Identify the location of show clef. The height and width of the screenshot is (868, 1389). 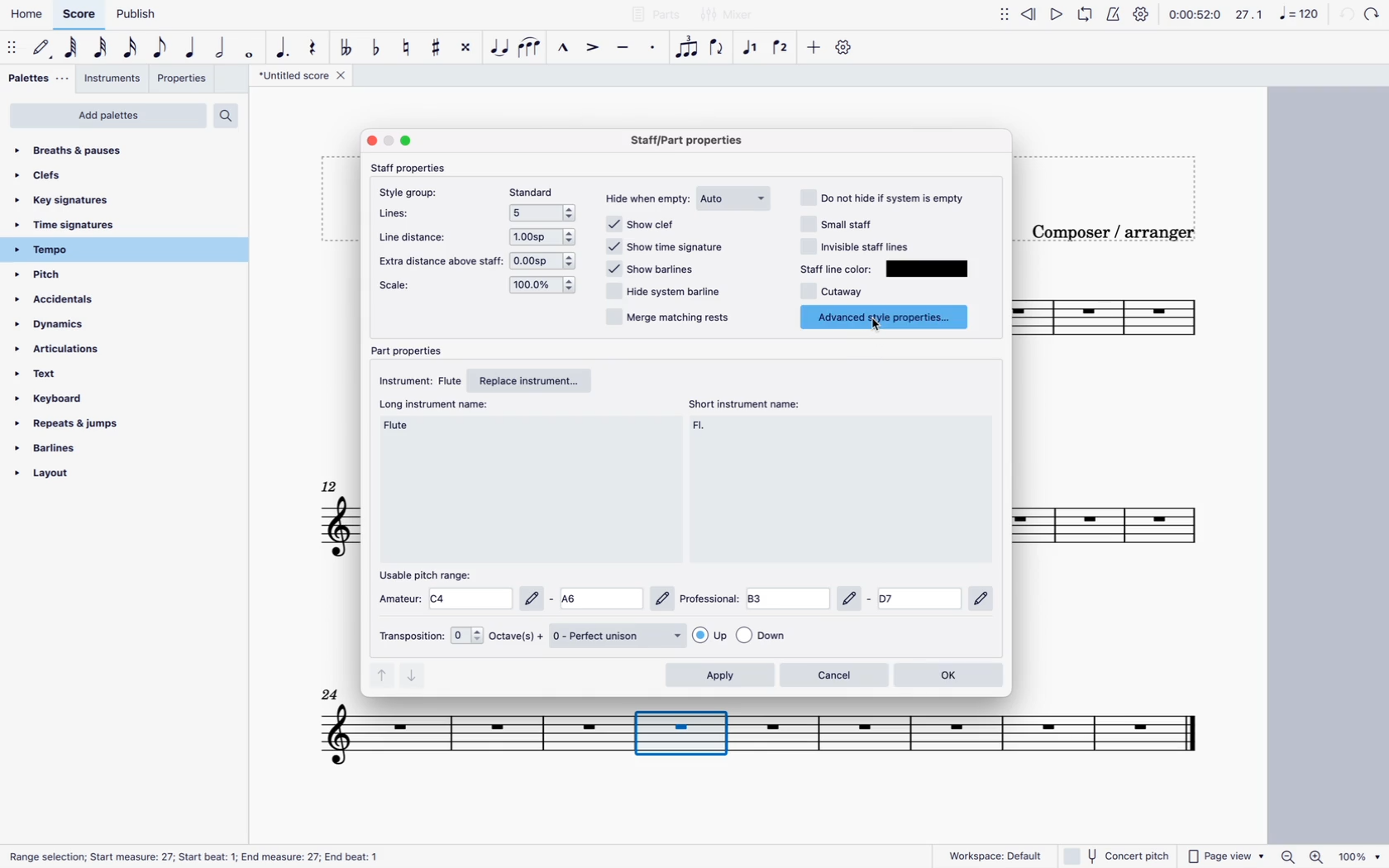
(647, 224).